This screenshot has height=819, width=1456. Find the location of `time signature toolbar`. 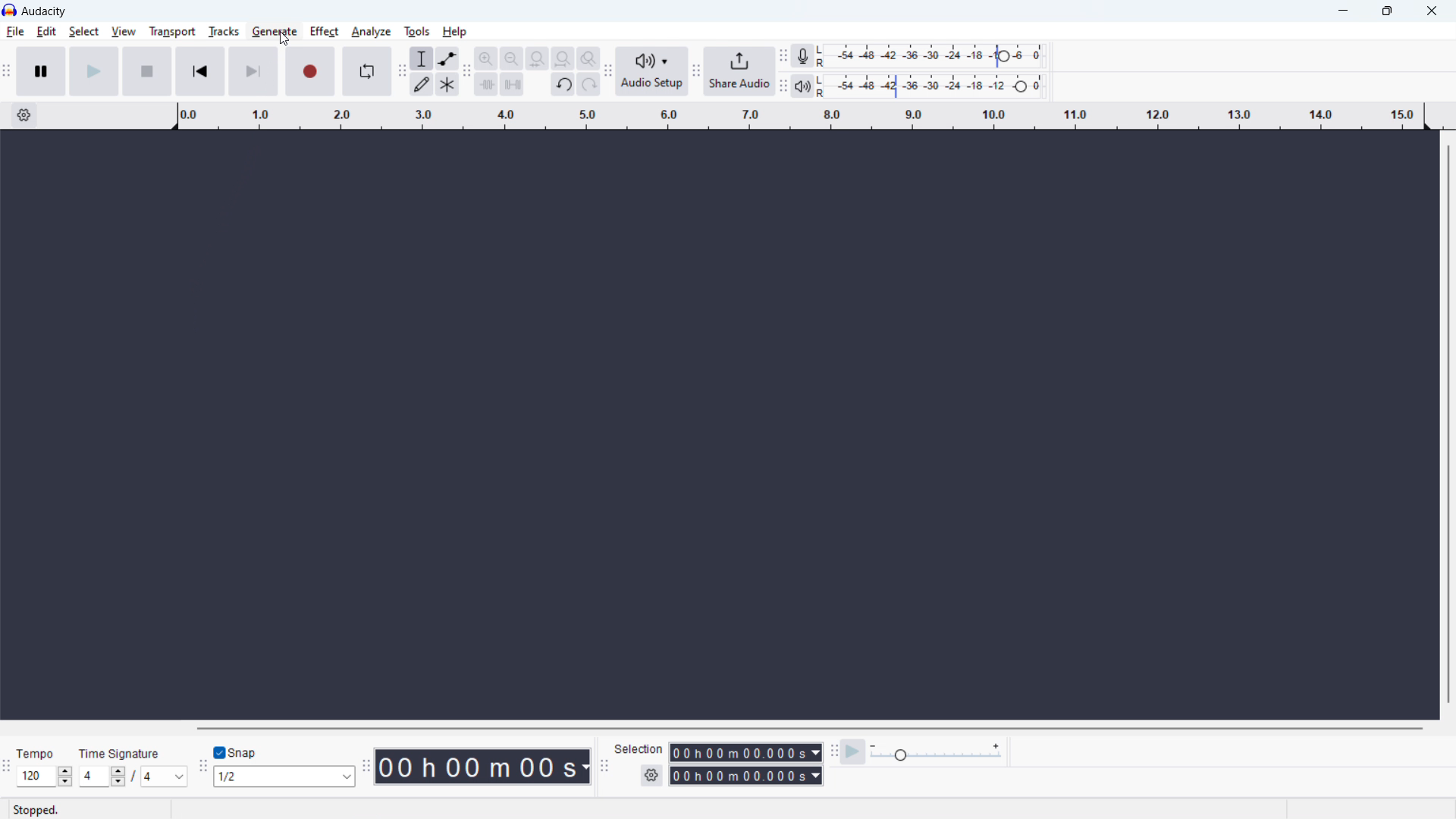

time signature toolbar is located at coordinates (8, 768).